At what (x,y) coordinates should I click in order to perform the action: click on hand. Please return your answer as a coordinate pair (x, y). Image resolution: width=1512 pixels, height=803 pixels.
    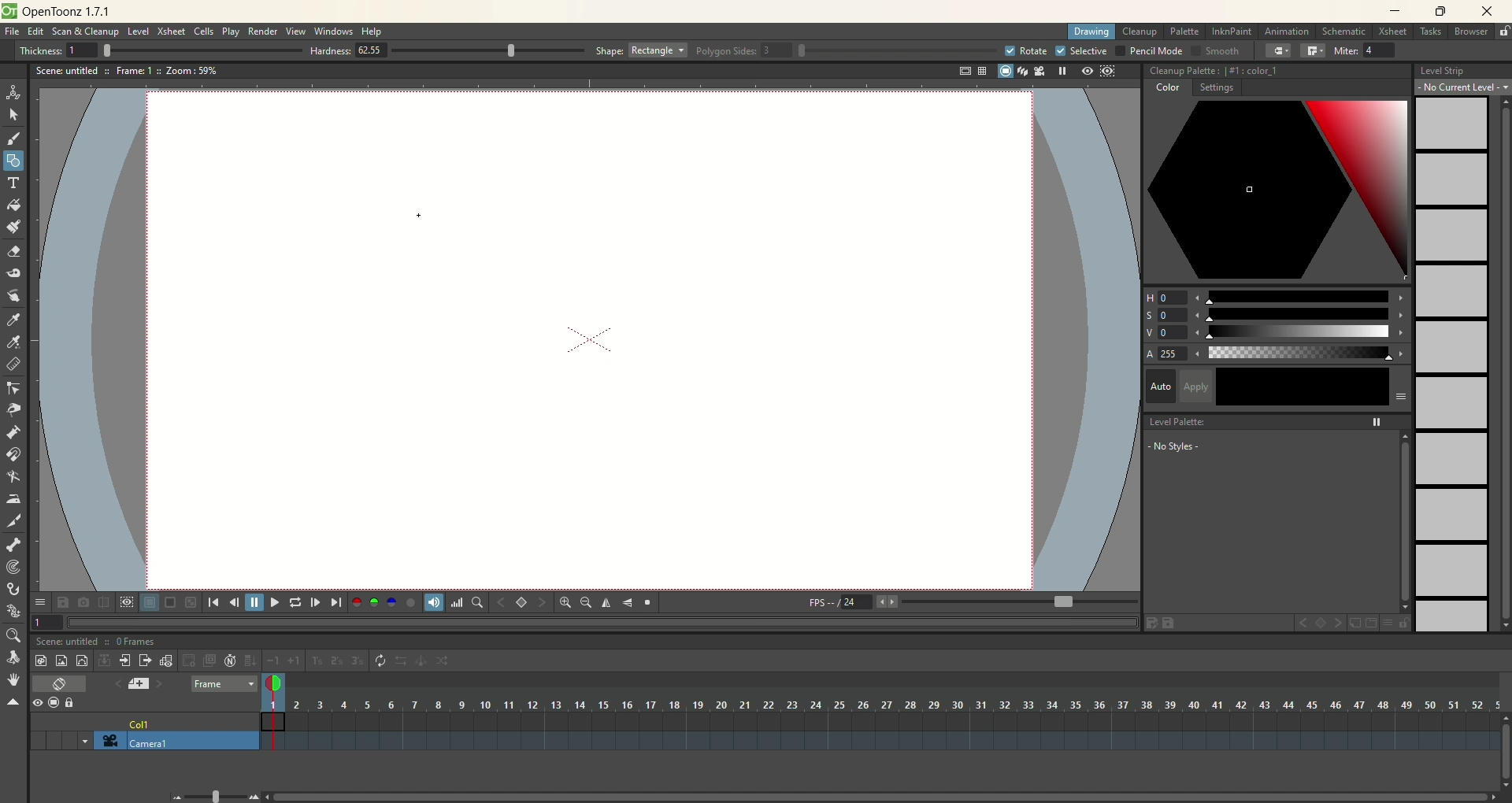
    Looking at the image, I should click on (13, 679).